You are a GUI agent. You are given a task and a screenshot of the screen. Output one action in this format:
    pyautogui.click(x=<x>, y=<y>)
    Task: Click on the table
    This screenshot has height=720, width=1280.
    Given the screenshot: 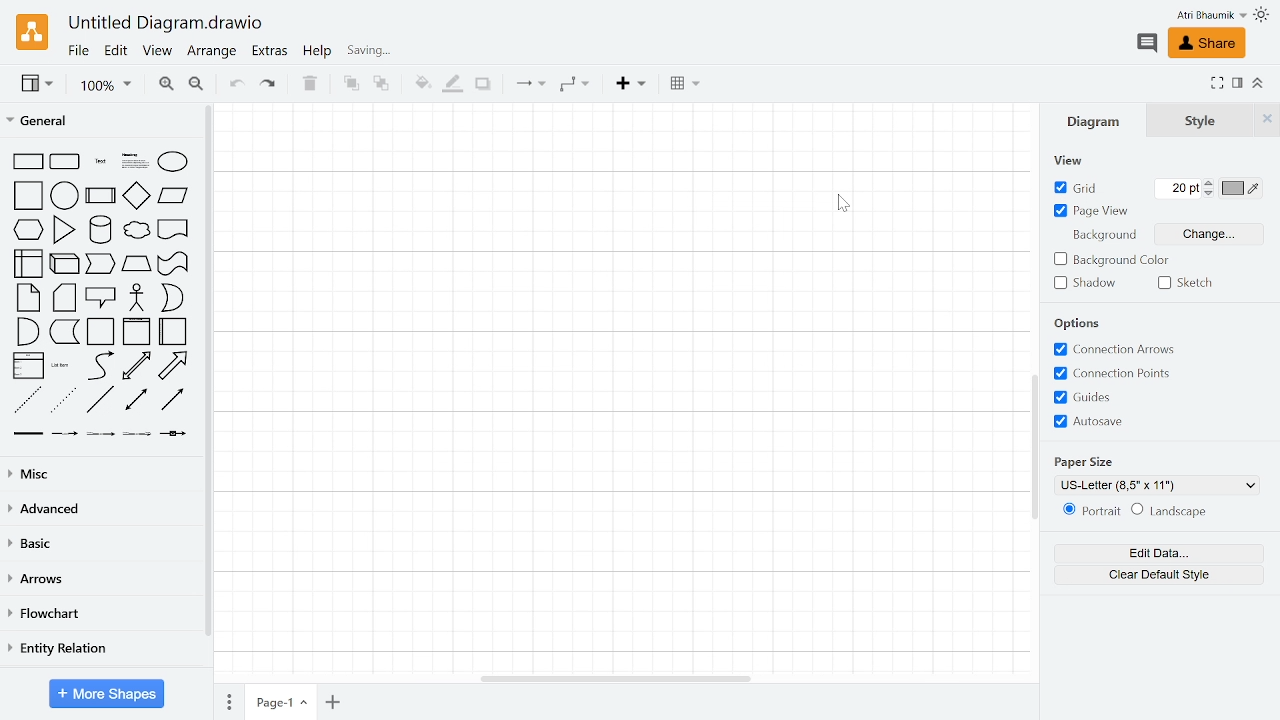 What is the action you would take?
    pyautogui.click(x=689, y=85)
    